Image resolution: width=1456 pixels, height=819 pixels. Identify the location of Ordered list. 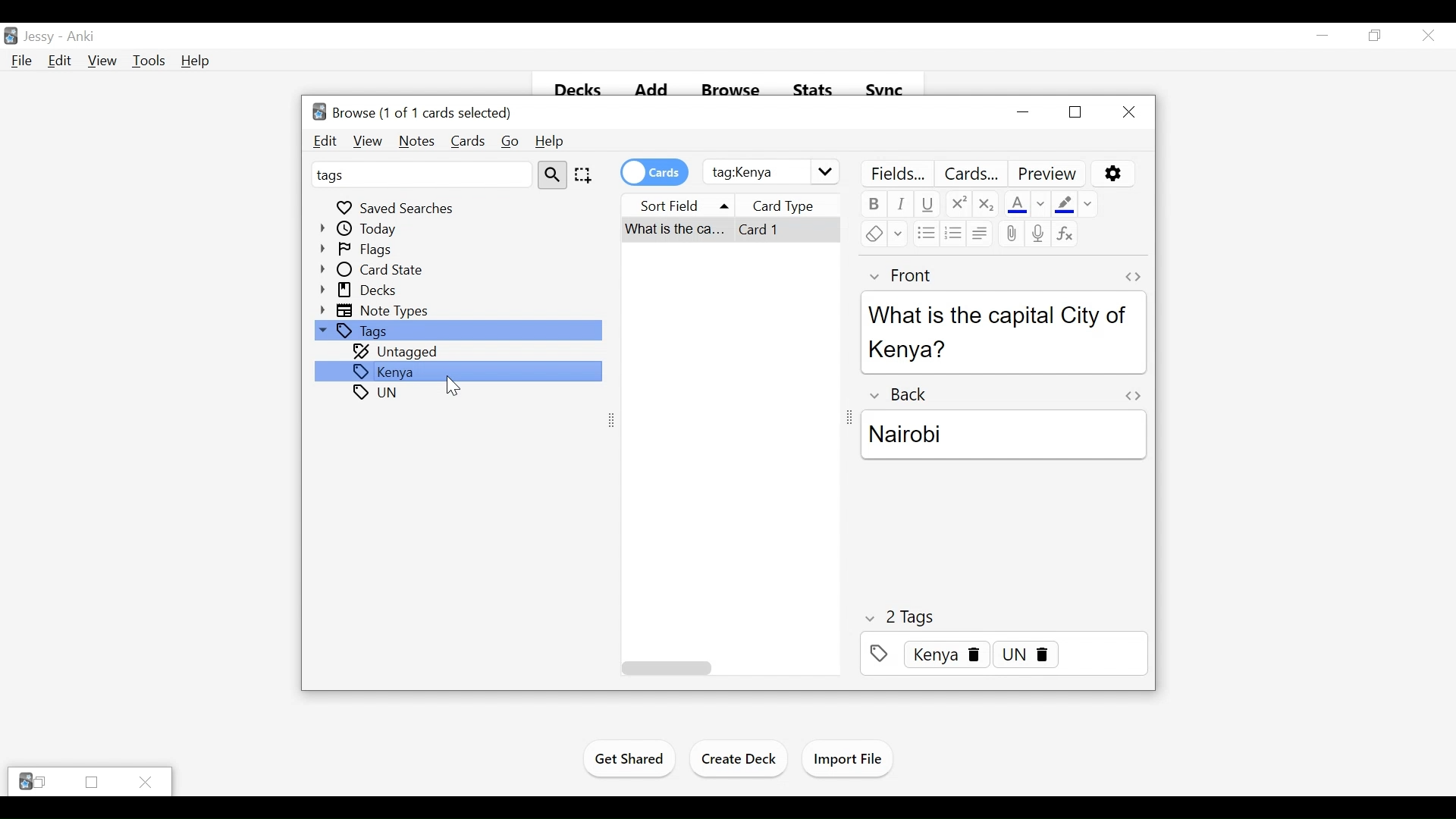
(952, 234).